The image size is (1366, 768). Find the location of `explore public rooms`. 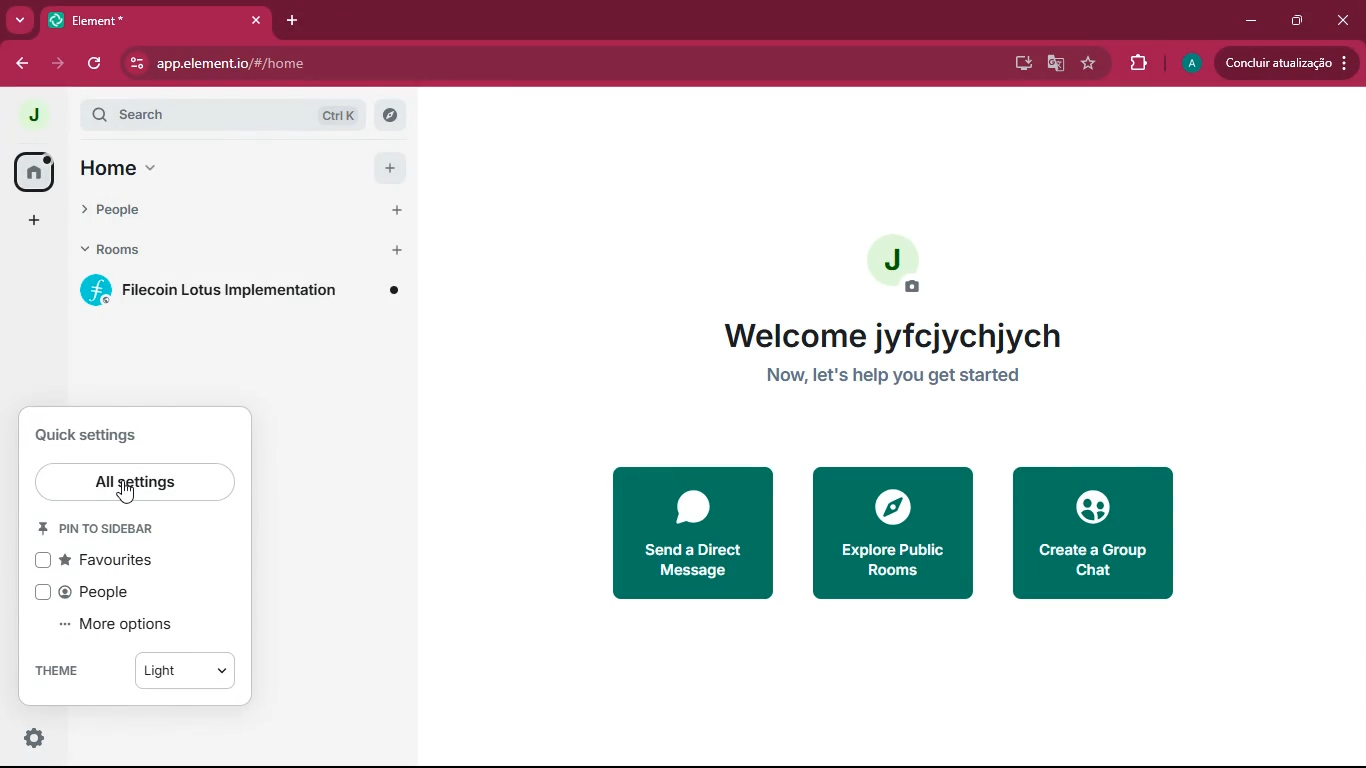

explore public rooms is located at coordinates (893, 531).